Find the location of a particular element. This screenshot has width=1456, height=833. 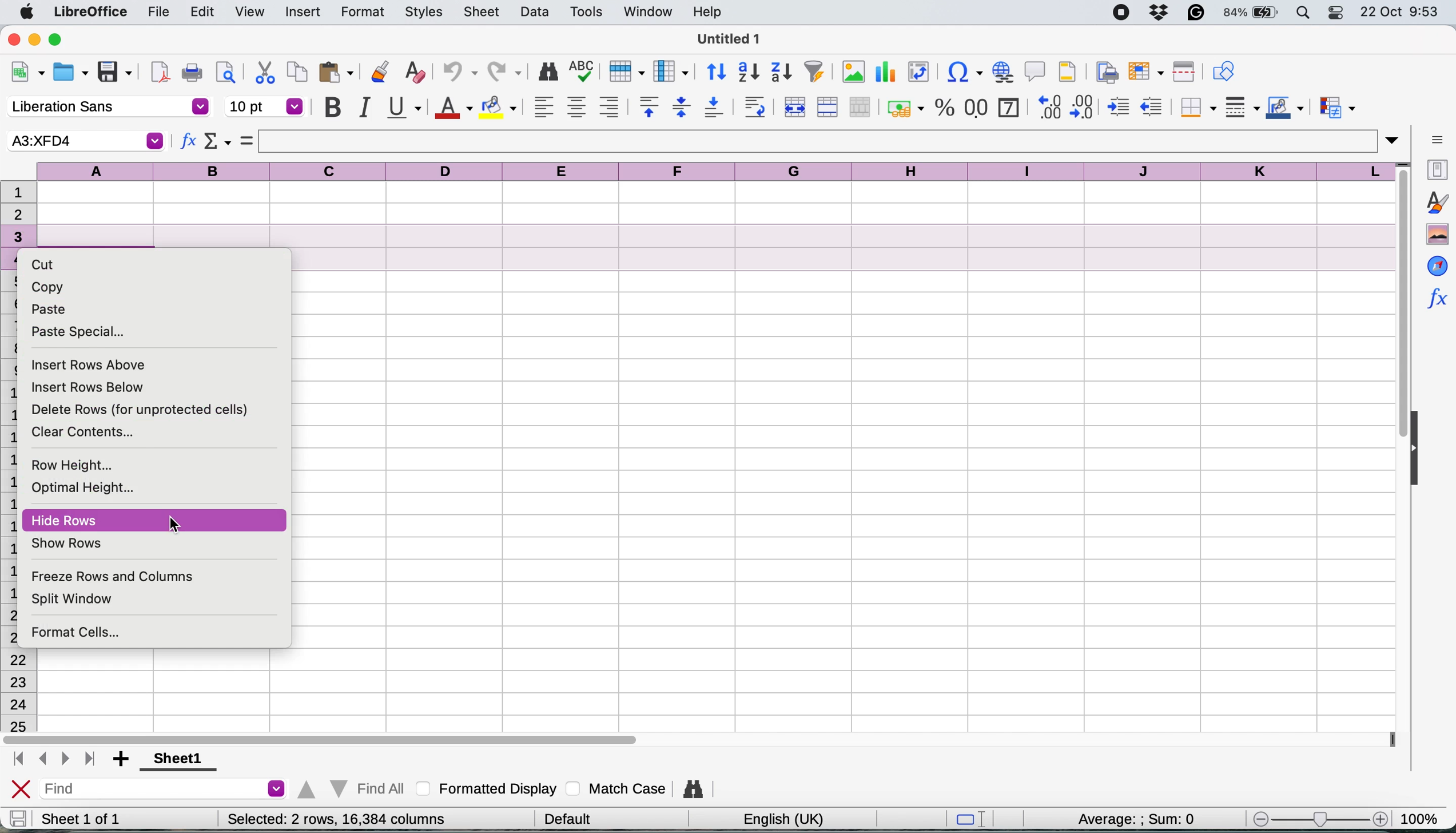

conditional is located at coordinates (1336, 109).